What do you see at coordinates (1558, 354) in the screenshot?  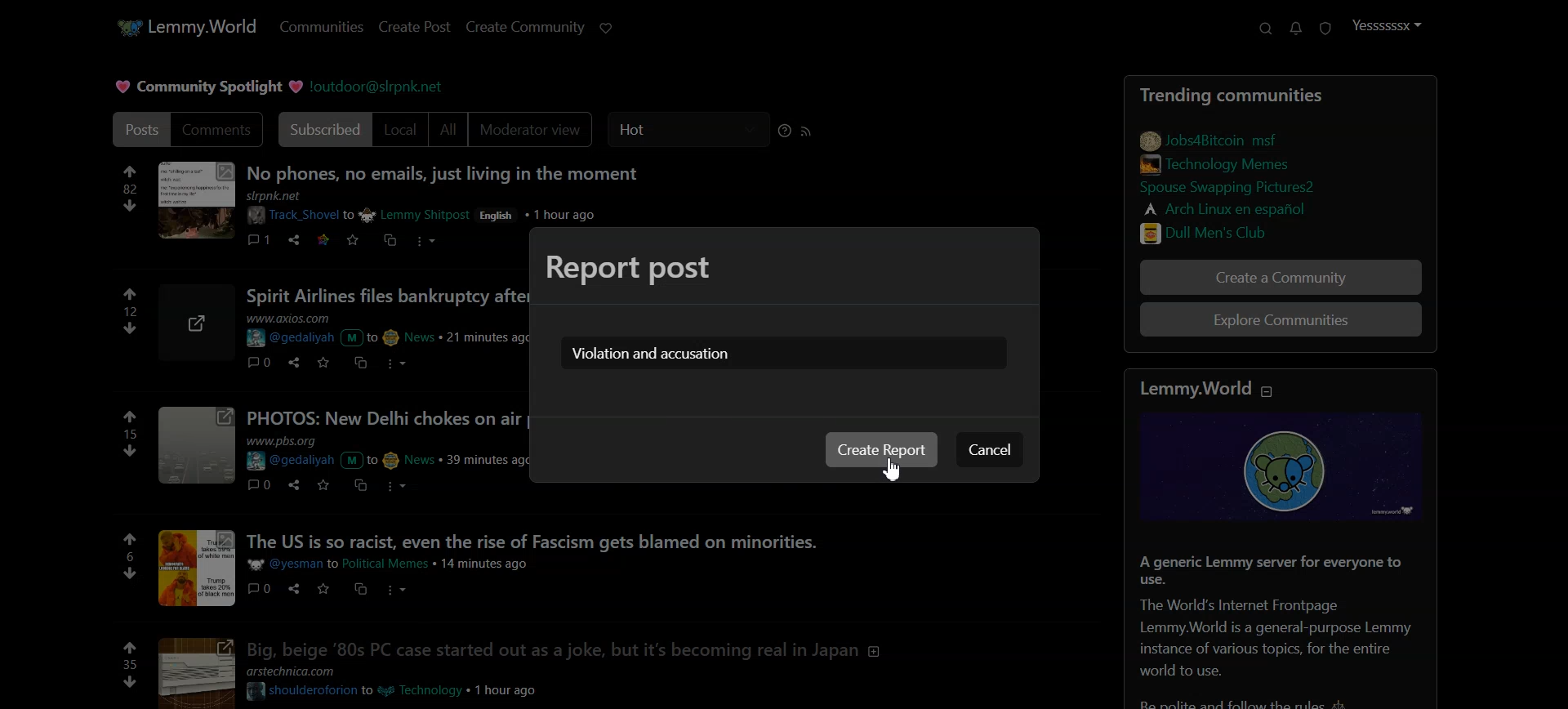 I see `Vertical scroll bar` at bounding box center [1558, 354].